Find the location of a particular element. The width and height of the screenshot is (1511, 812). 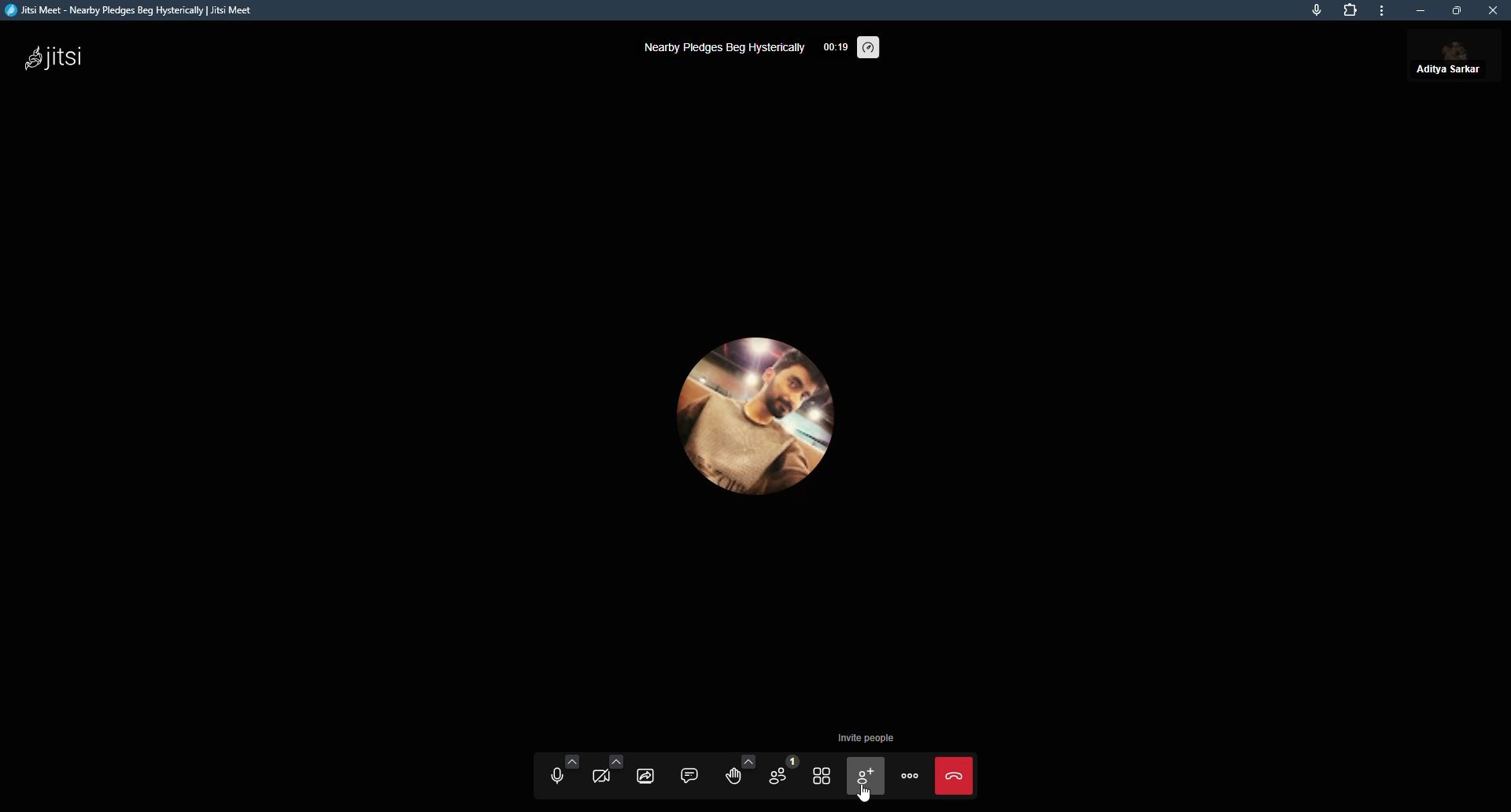

invite people is located at coordinates (863, 734).